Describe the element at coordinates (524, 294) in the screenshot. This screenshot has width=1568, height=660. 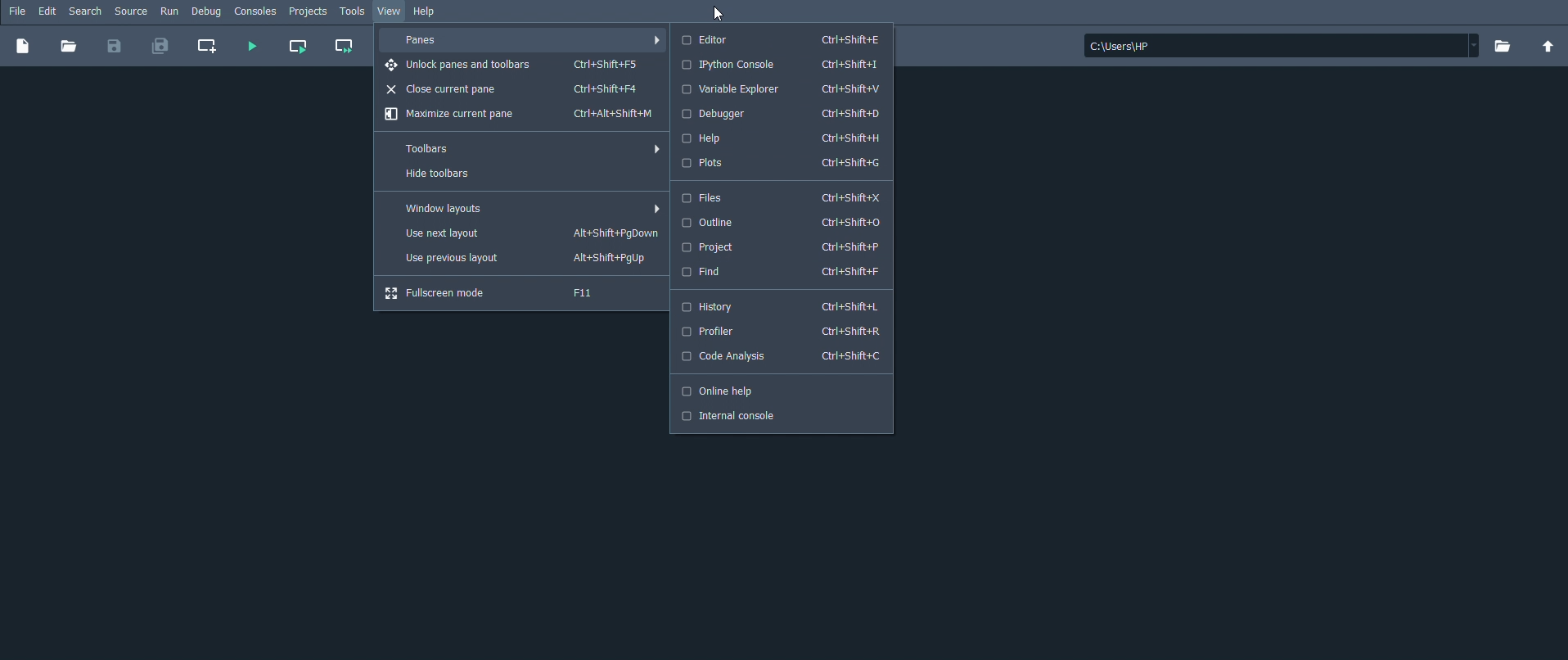
I see `Fullscreen mode` at that location.